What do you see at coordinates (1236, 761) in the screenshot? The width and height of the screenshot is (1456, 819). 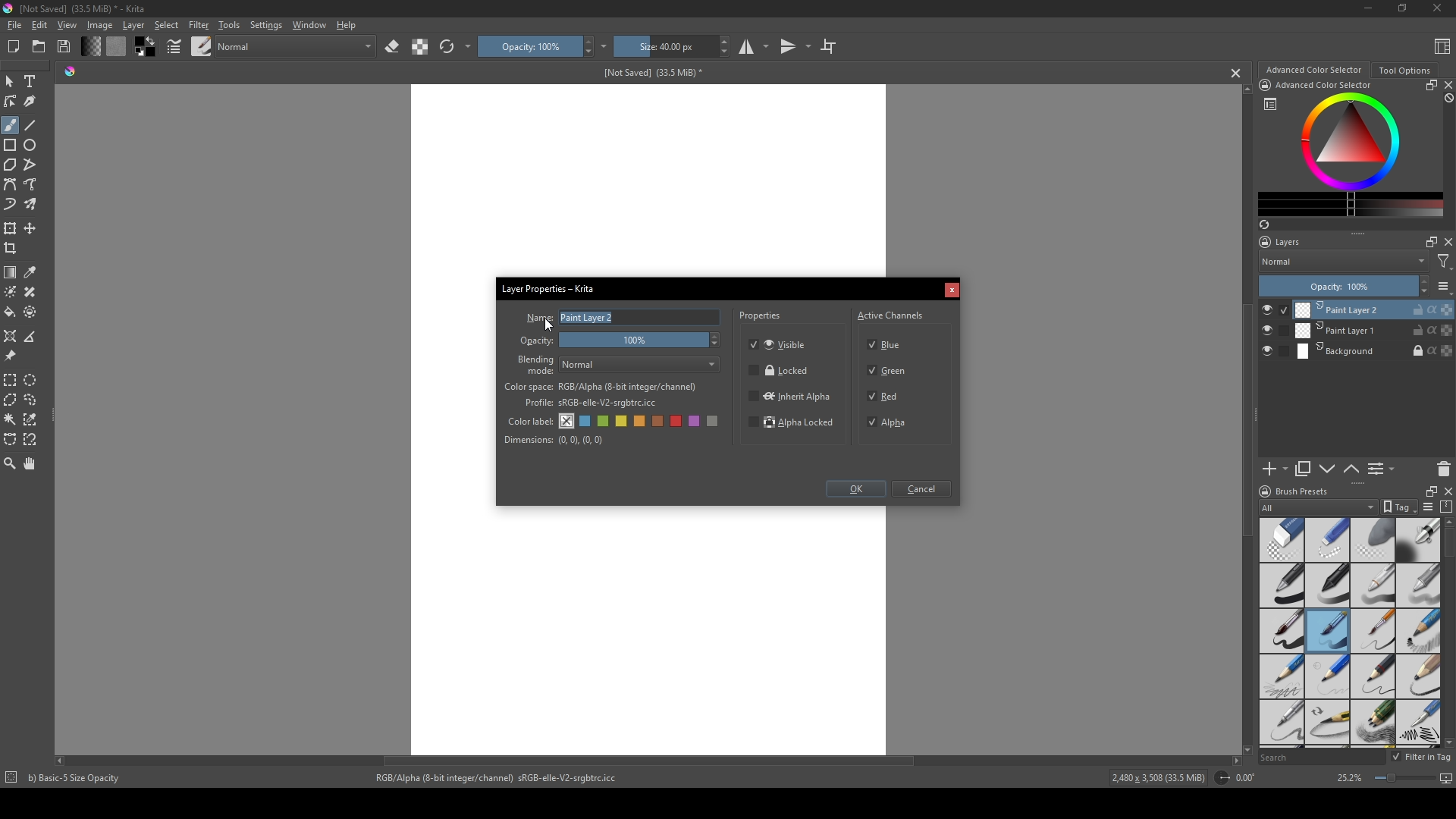 I see `scroll right` at bounding box center [1236, 761].